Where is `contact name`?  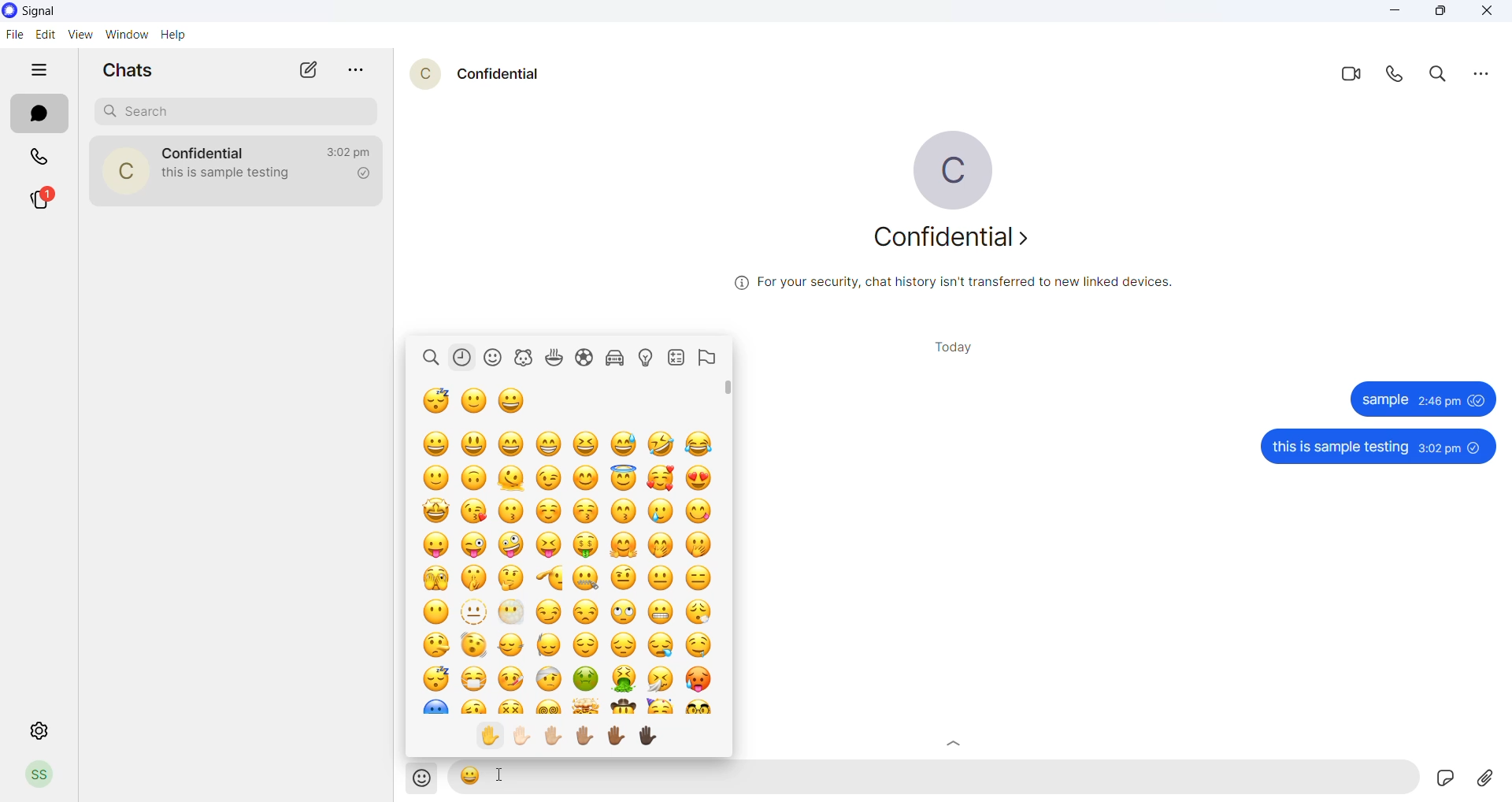
contact name is located at coordinates (502, 74).